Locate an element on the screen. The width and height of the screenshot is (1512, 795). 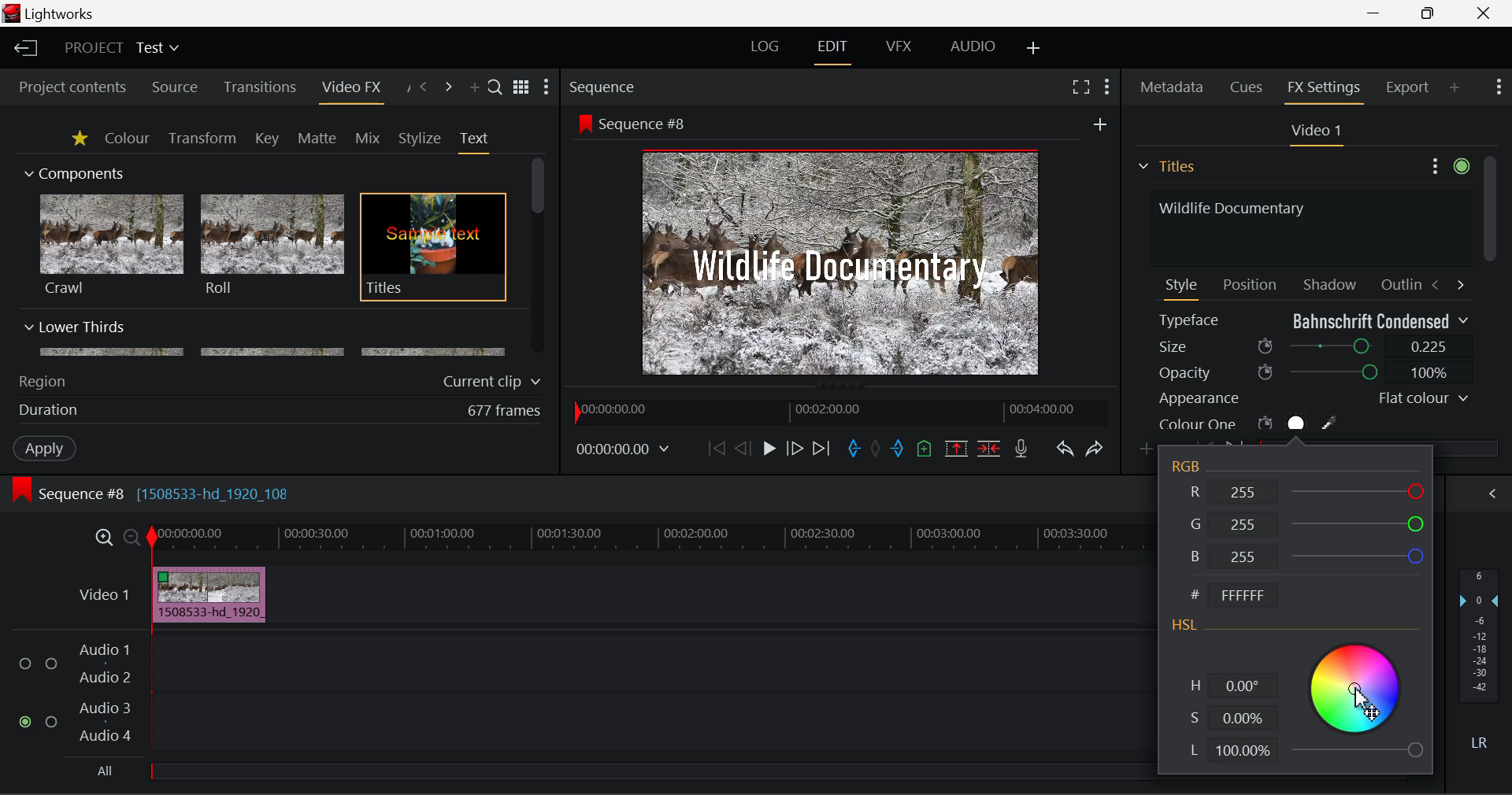
Clip Inserted is located at coordinates (205, 595).